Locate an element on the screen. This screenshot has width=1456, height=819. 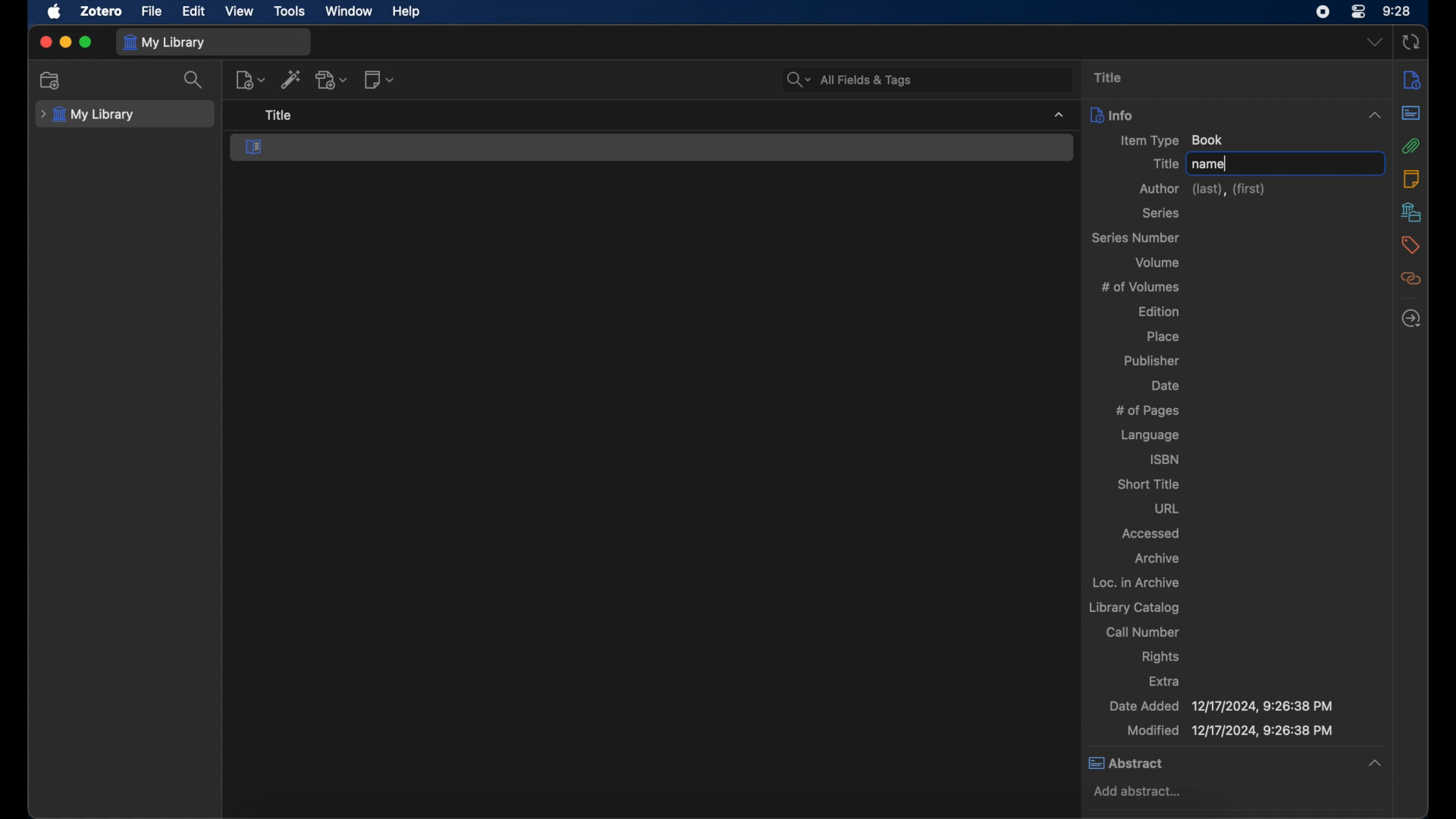
no of pages is located at coordinates (1147, 410).